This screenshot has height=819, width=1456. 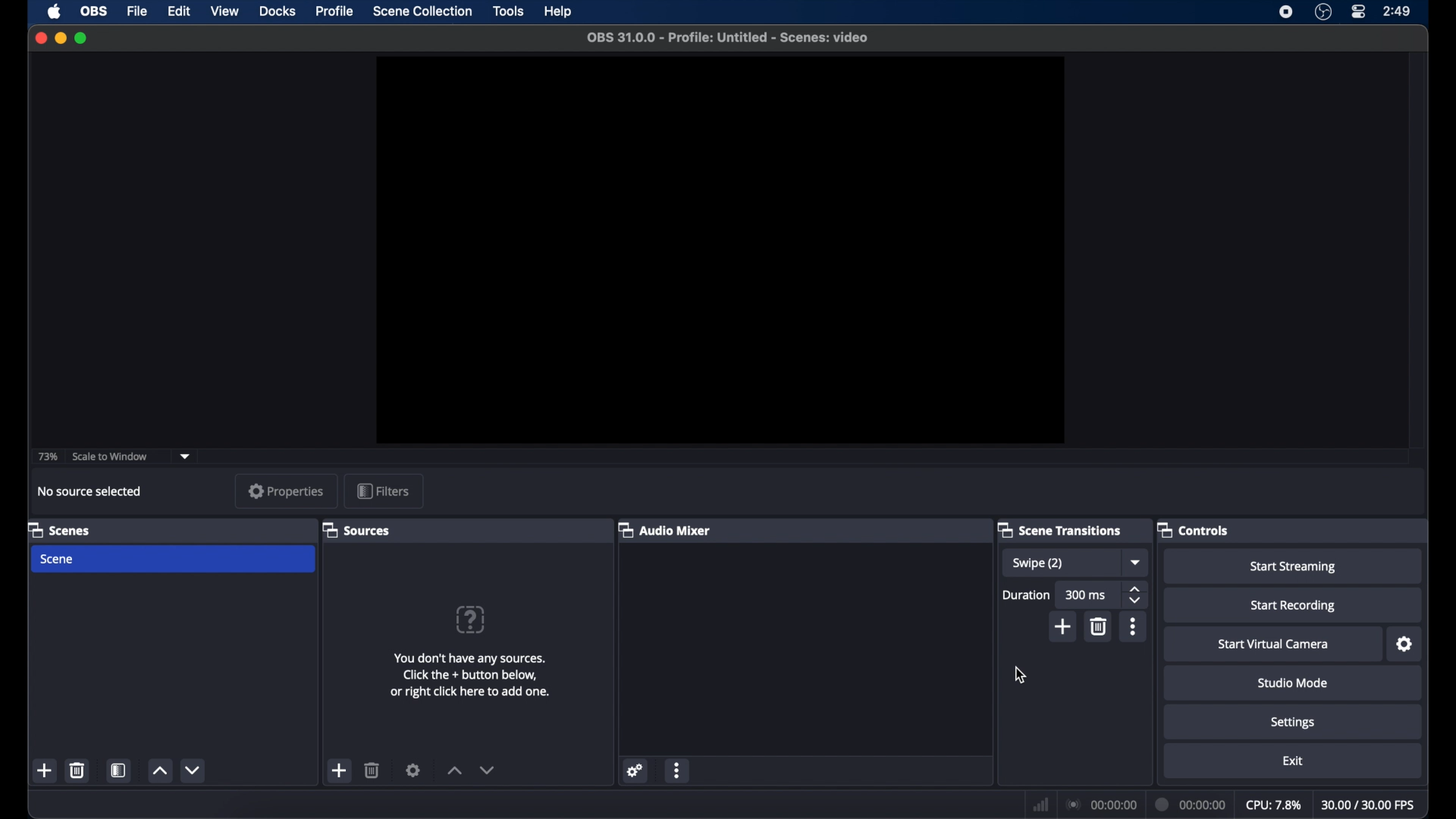 What do you see at coordinates (1286, 11) in the screenshot?
I see `screen recorder icon` at bounding box center [1286, 11].